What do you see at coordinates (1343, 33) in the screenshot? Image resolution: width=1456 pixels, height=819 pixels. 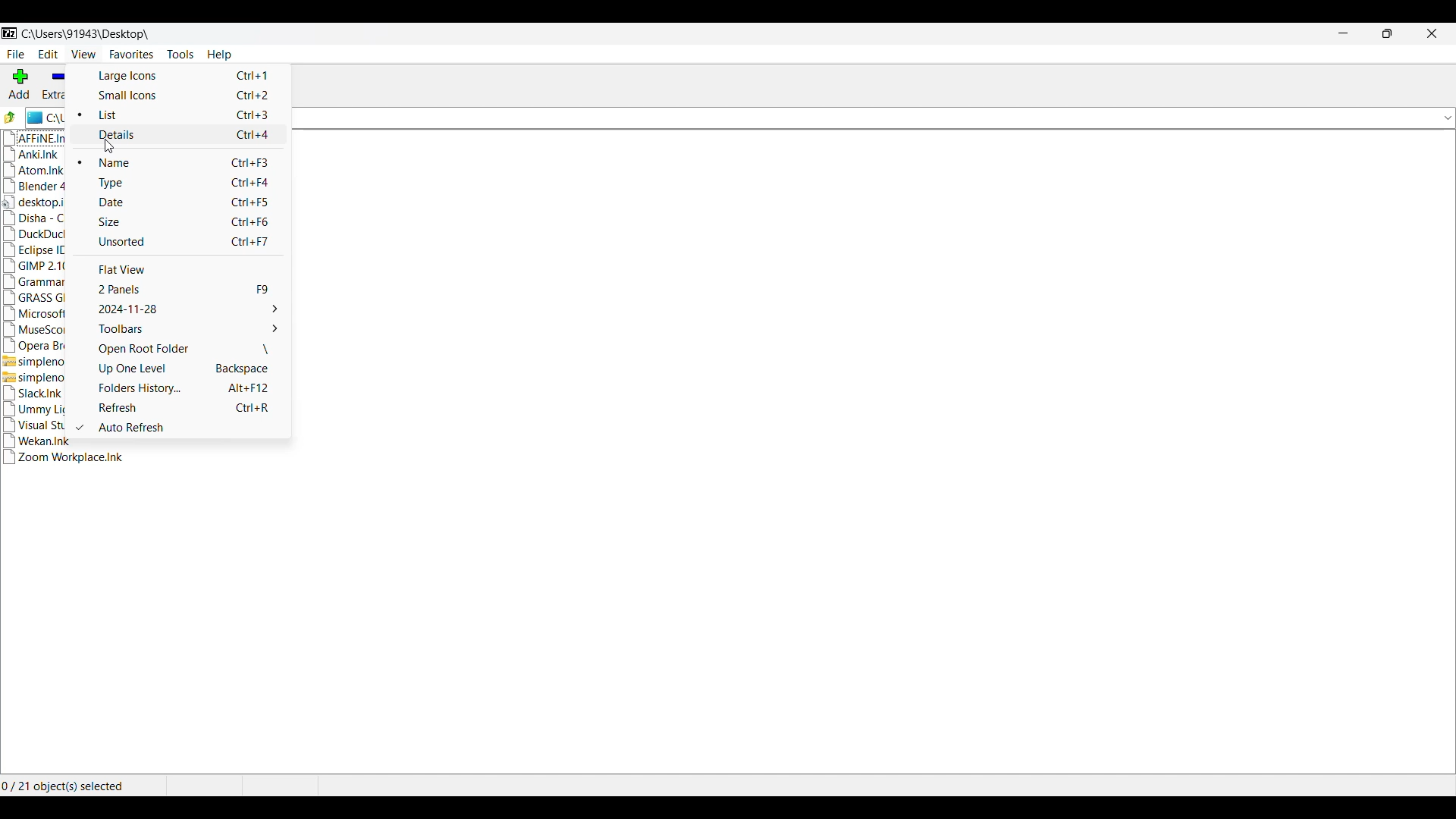 I see `Minimize` at bounding box center [1343, 33].